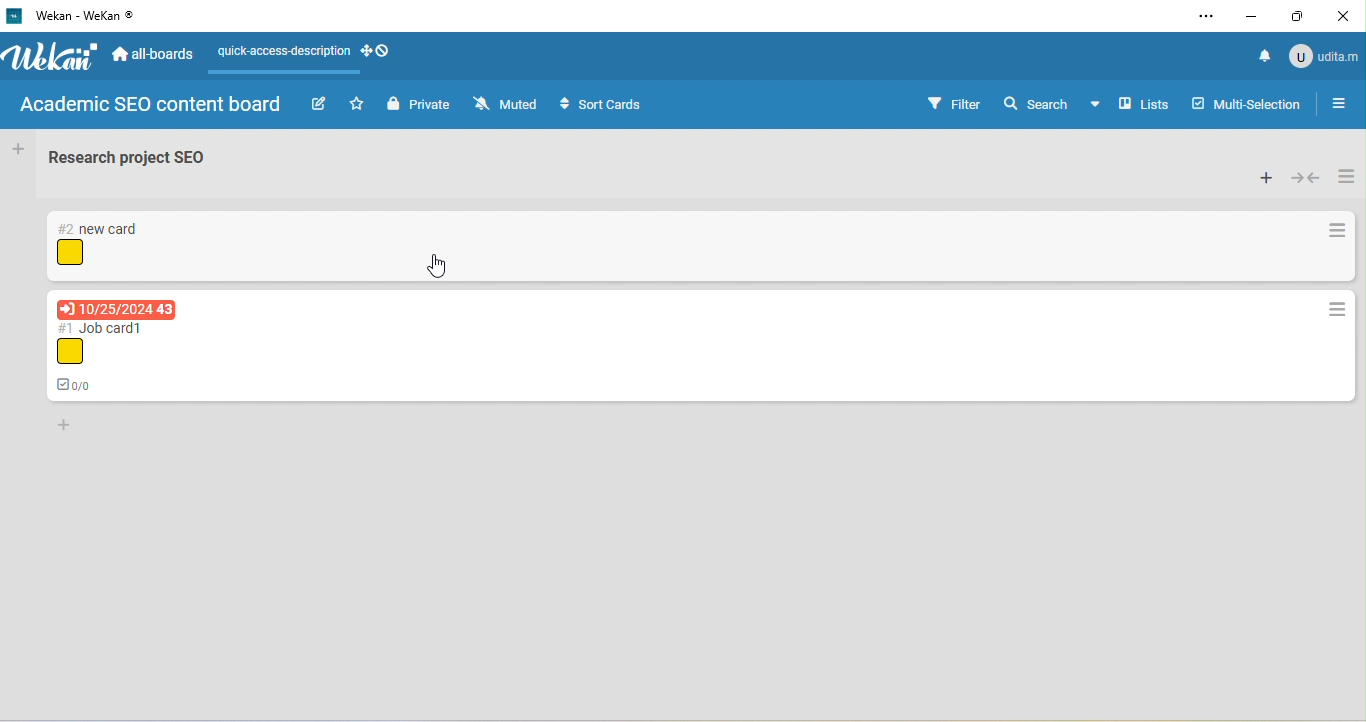  Describe the element at coordinates (100, 229) in the screenshot. I see `card titles ` at that location.